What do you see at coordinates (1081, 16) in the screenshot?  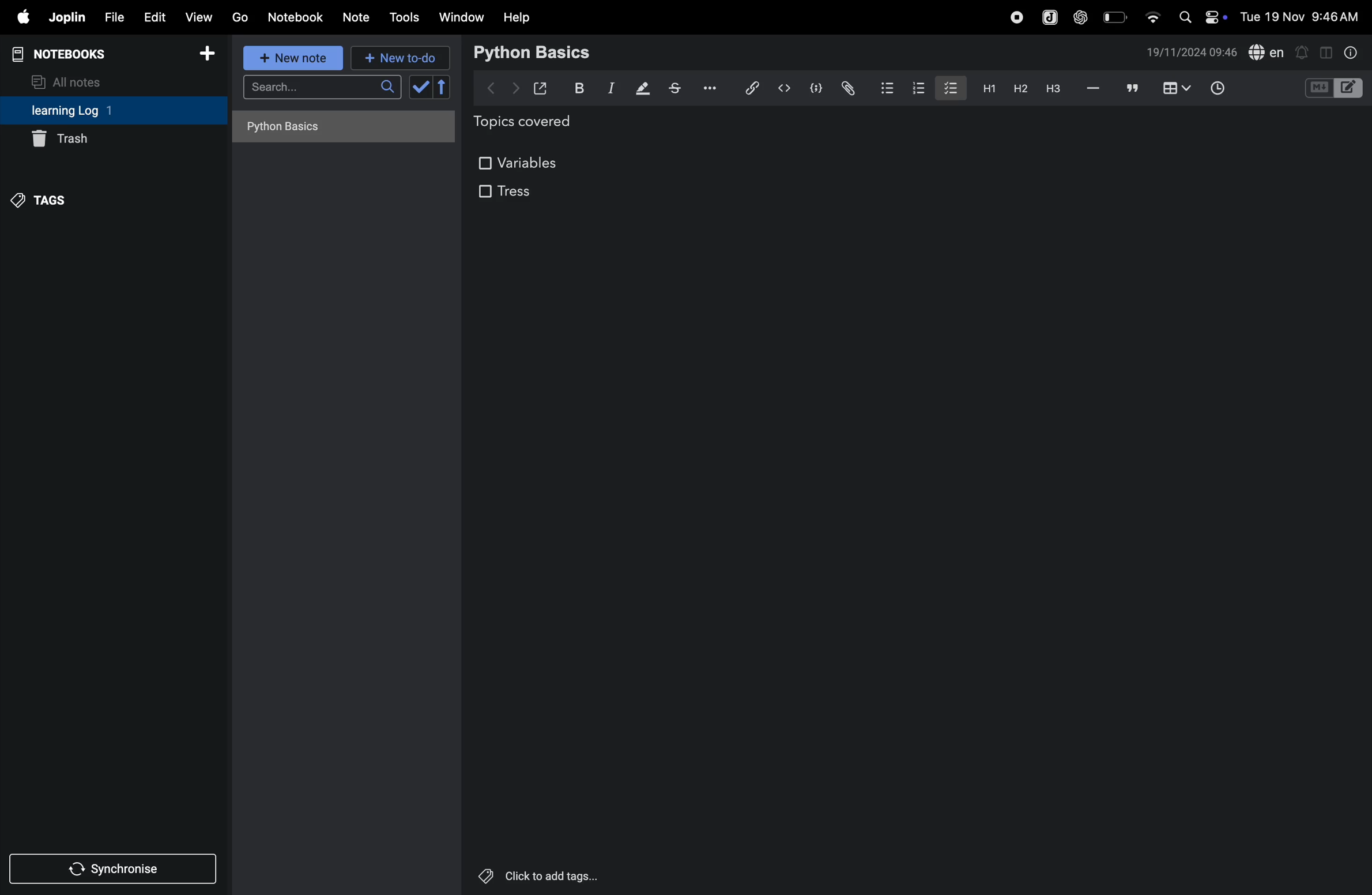 I see `chatgpt` at bounding box center [1081, 16].